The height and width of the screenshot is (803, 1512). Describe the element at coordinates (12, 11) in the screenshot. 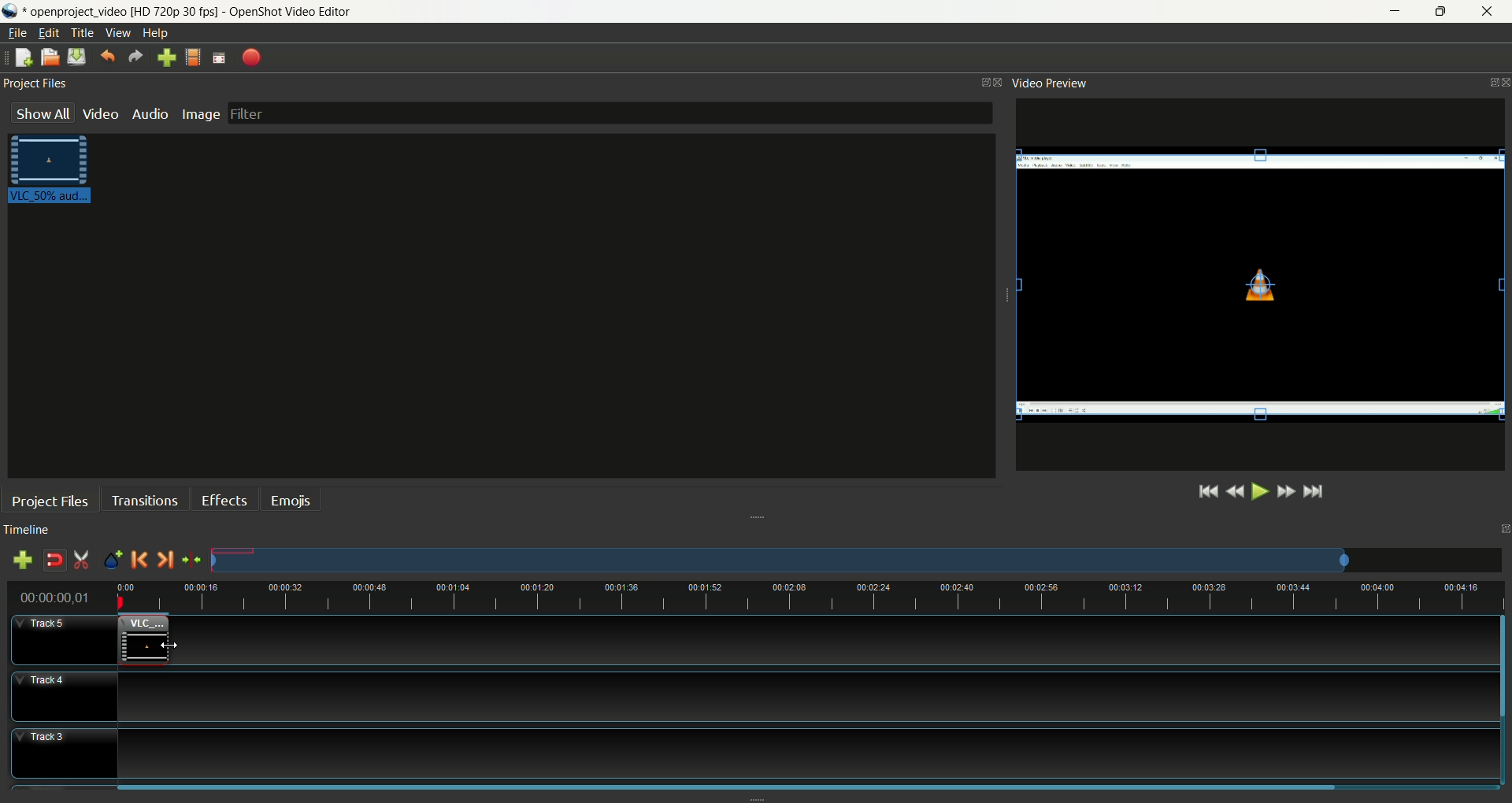

I see `logo` at that location.